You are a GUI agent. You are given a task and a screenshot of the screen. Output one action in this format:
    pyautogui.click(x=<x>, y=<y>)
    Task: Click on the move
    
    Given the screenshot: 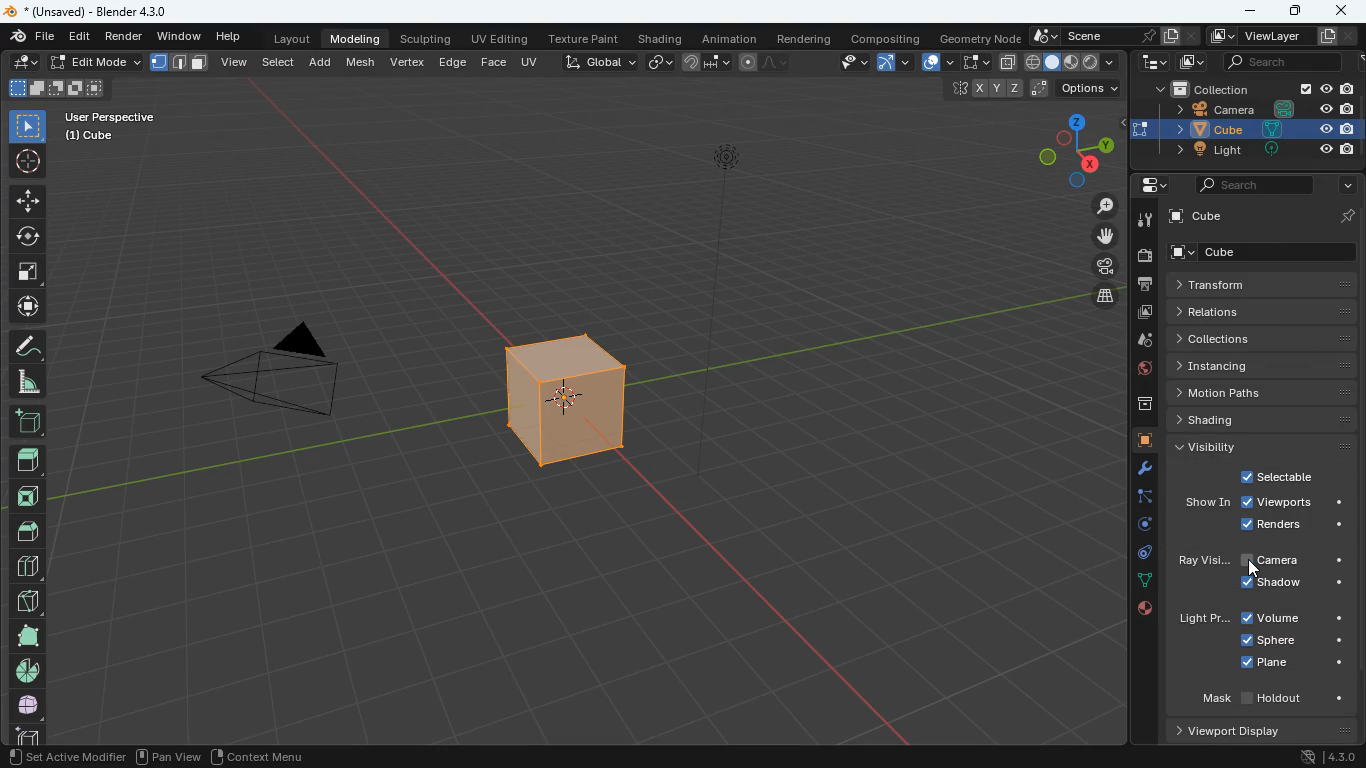 What is the action you would take?
    pyautogui.click(x=26, y=202)
    